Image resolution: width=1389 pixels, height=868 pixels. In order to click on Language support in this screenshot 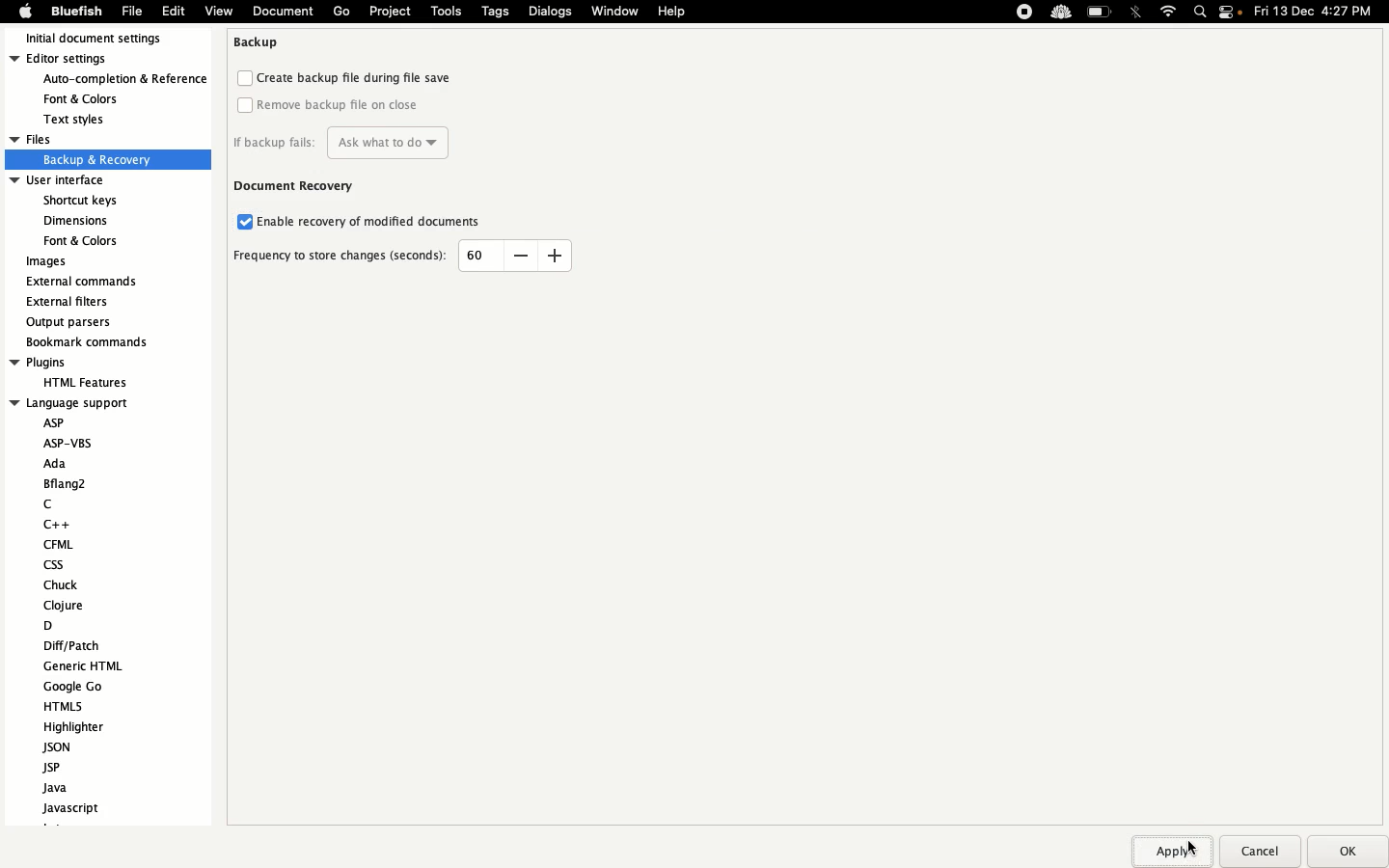, I will do `click(84, 613)`.